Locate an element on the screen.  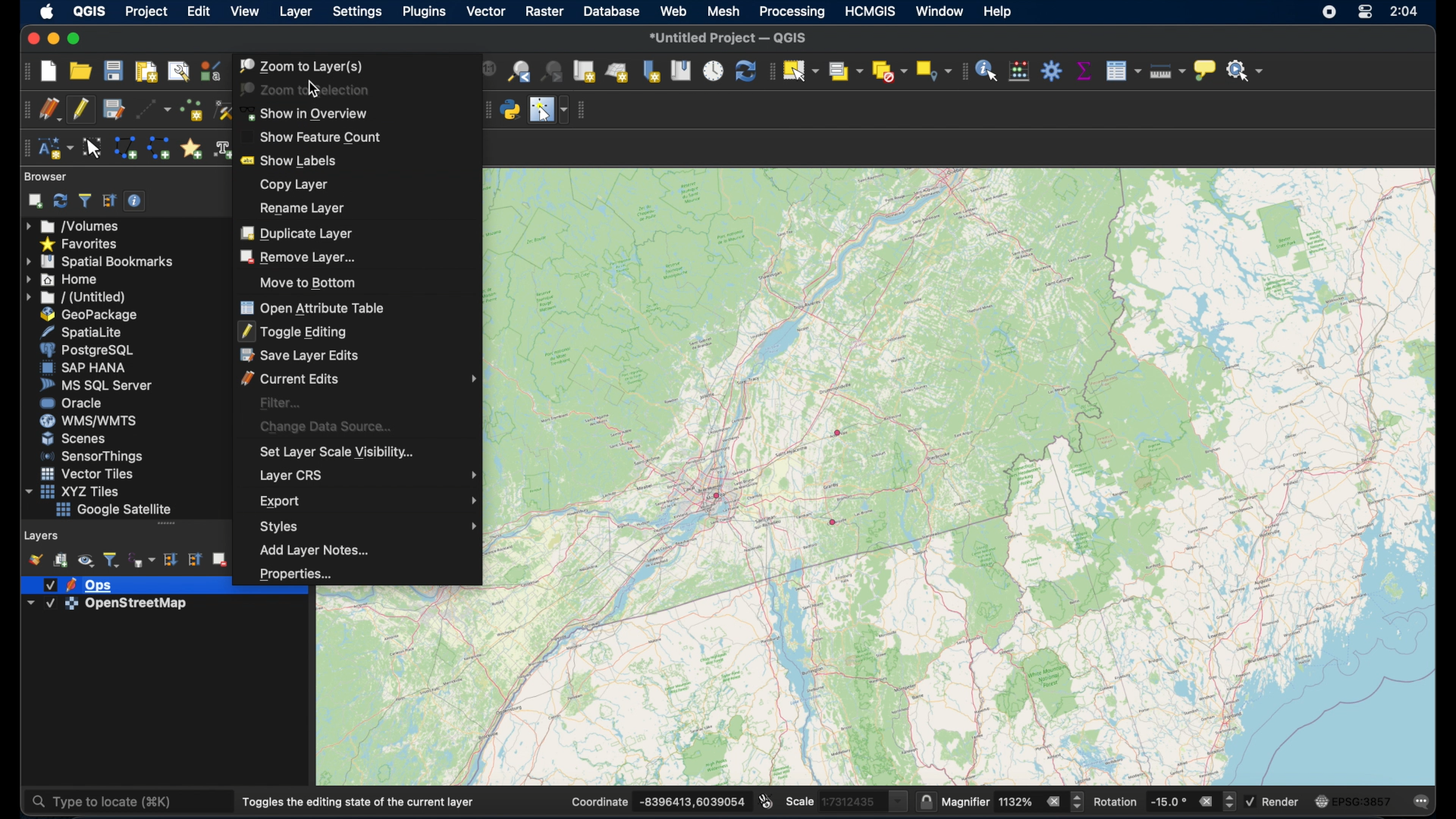
was/wmts is located at coordinates (85, 421).